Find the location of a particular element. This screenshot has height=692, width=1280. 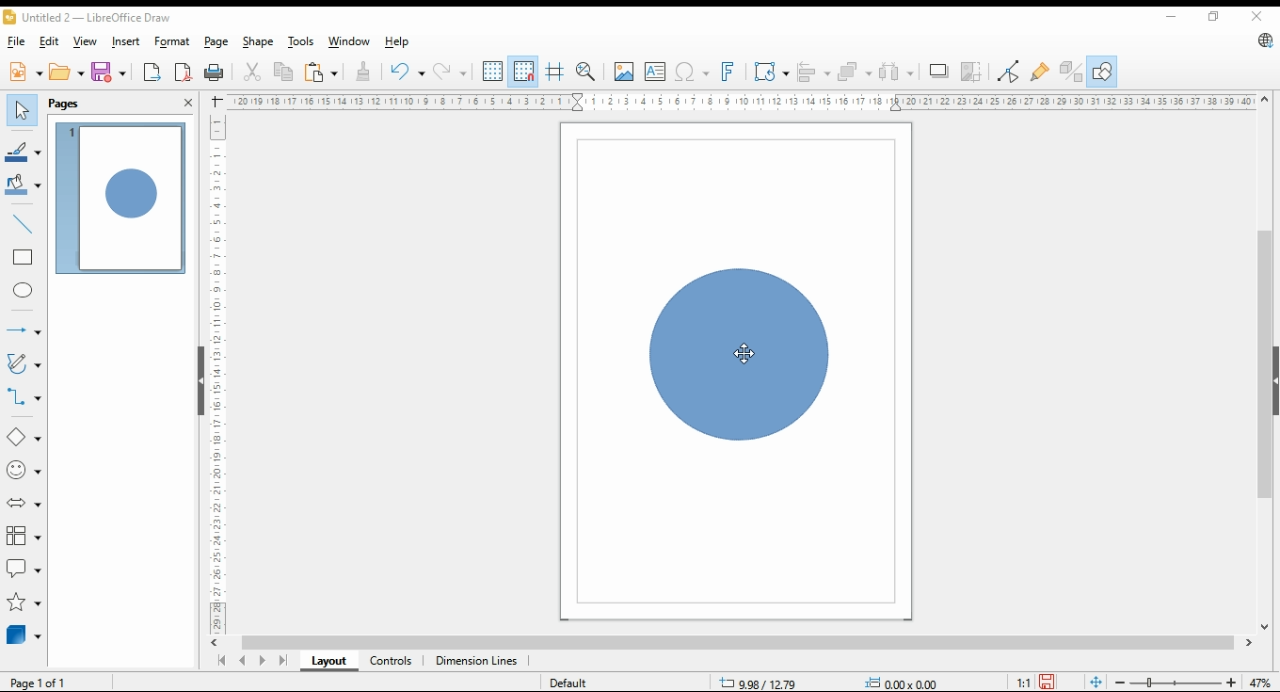

pages is located at coordinates (64, 105).